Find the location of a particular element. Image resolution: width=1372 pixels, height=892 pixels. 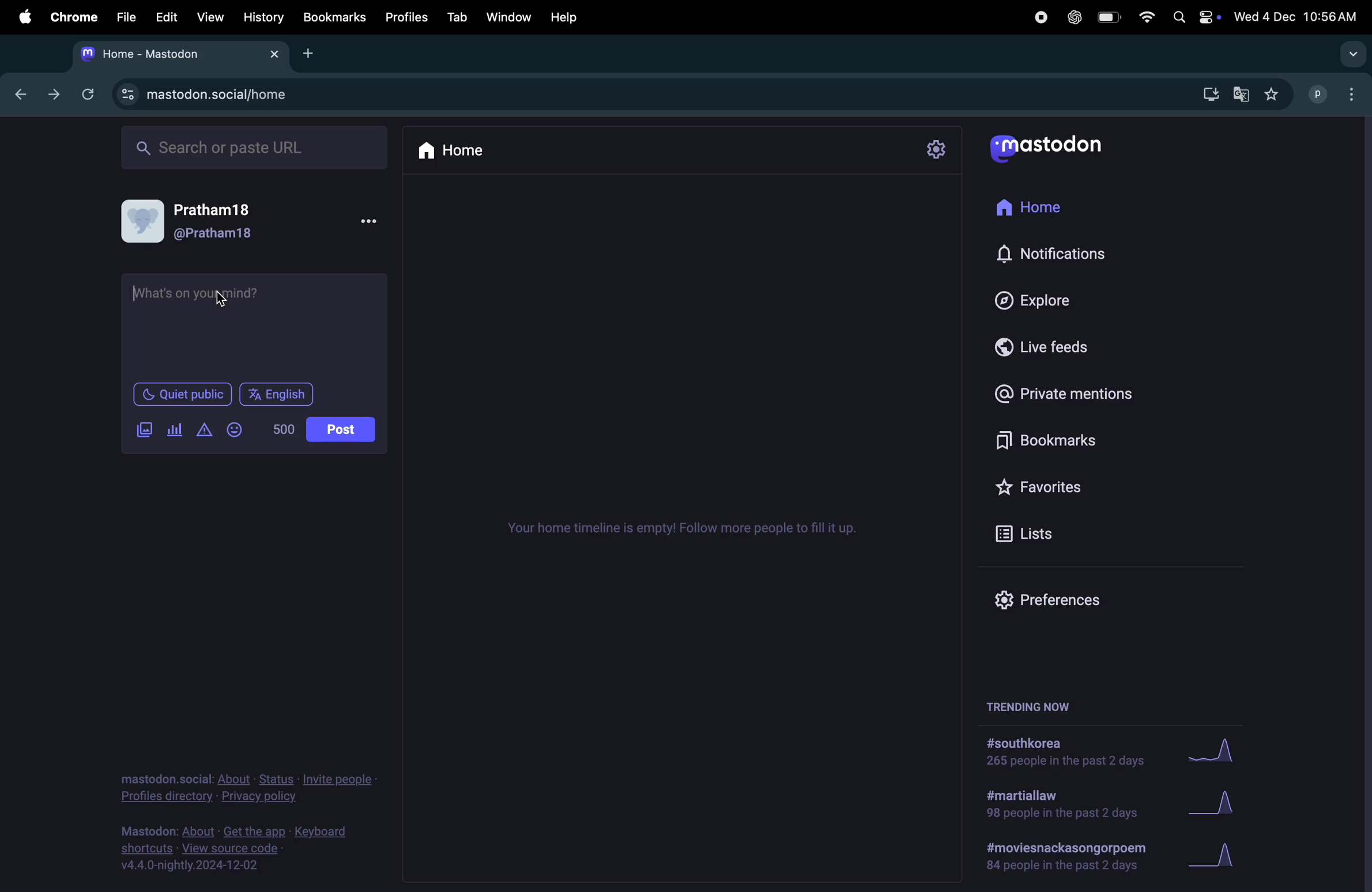

Book marks is located at coordinates (334, 17).